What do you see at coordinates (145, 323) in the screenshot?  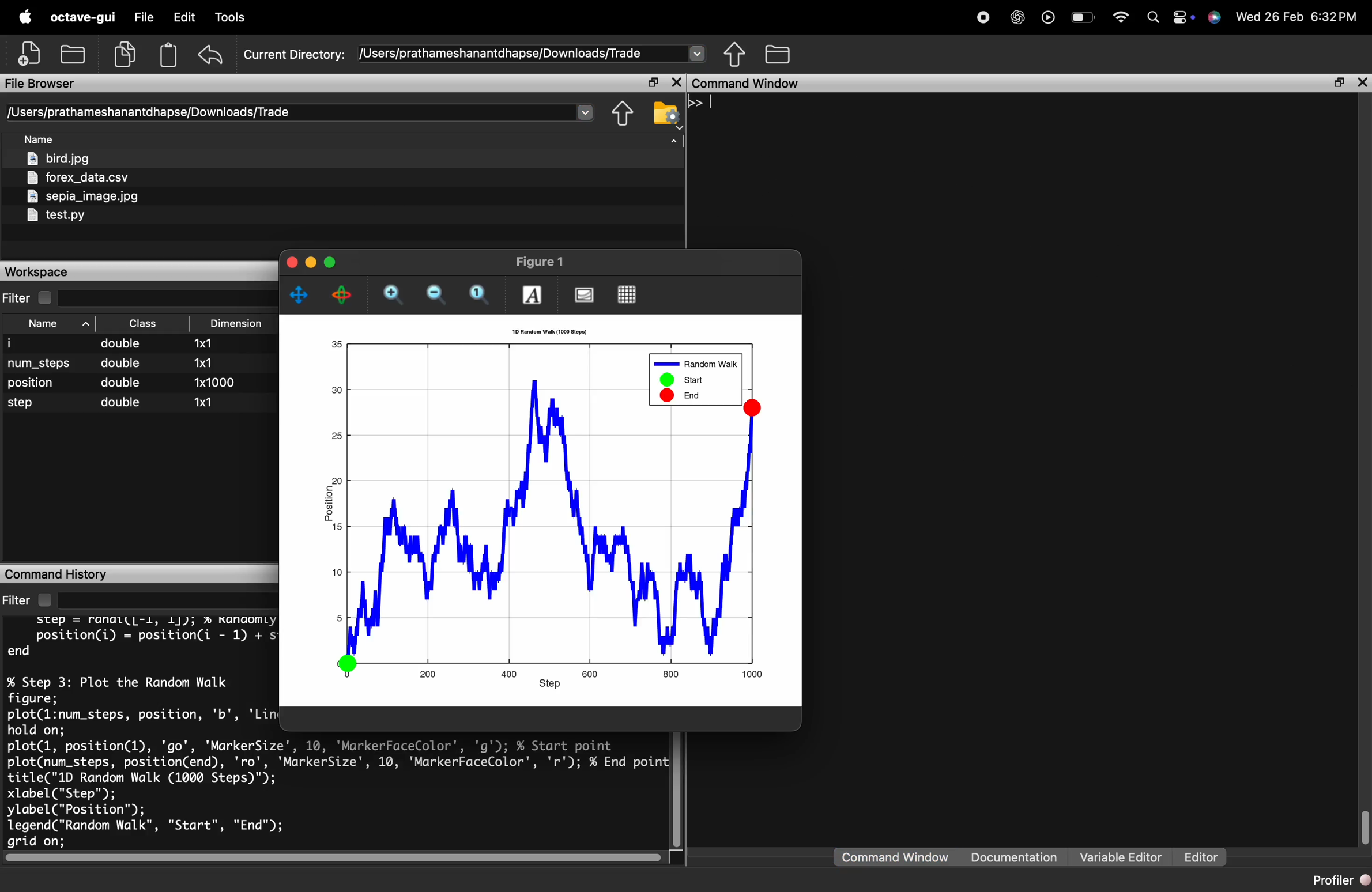 I see `sort by class` at bounding box center [145, 323].